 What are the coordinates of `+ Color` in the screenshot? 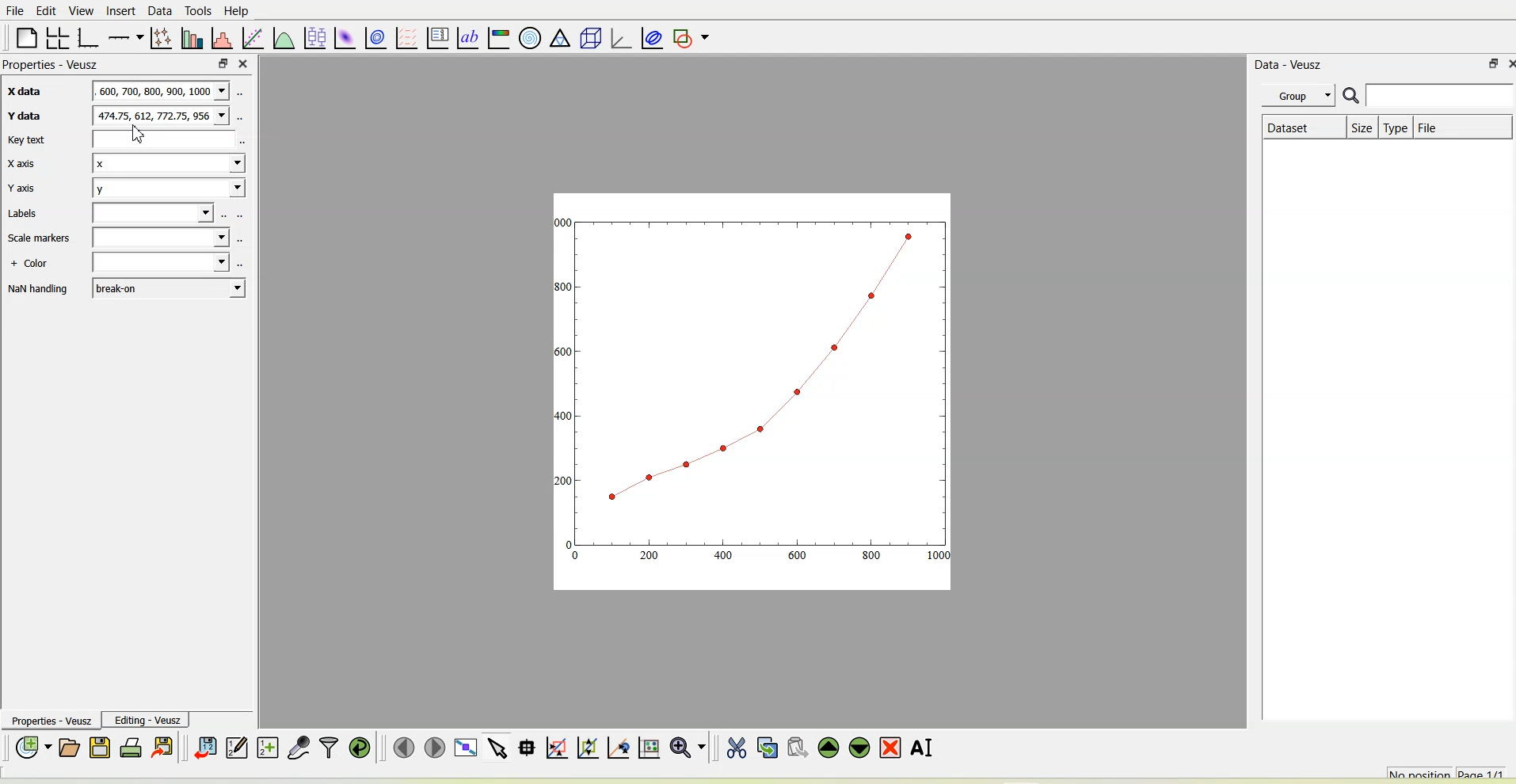 It's located at (29, 264).